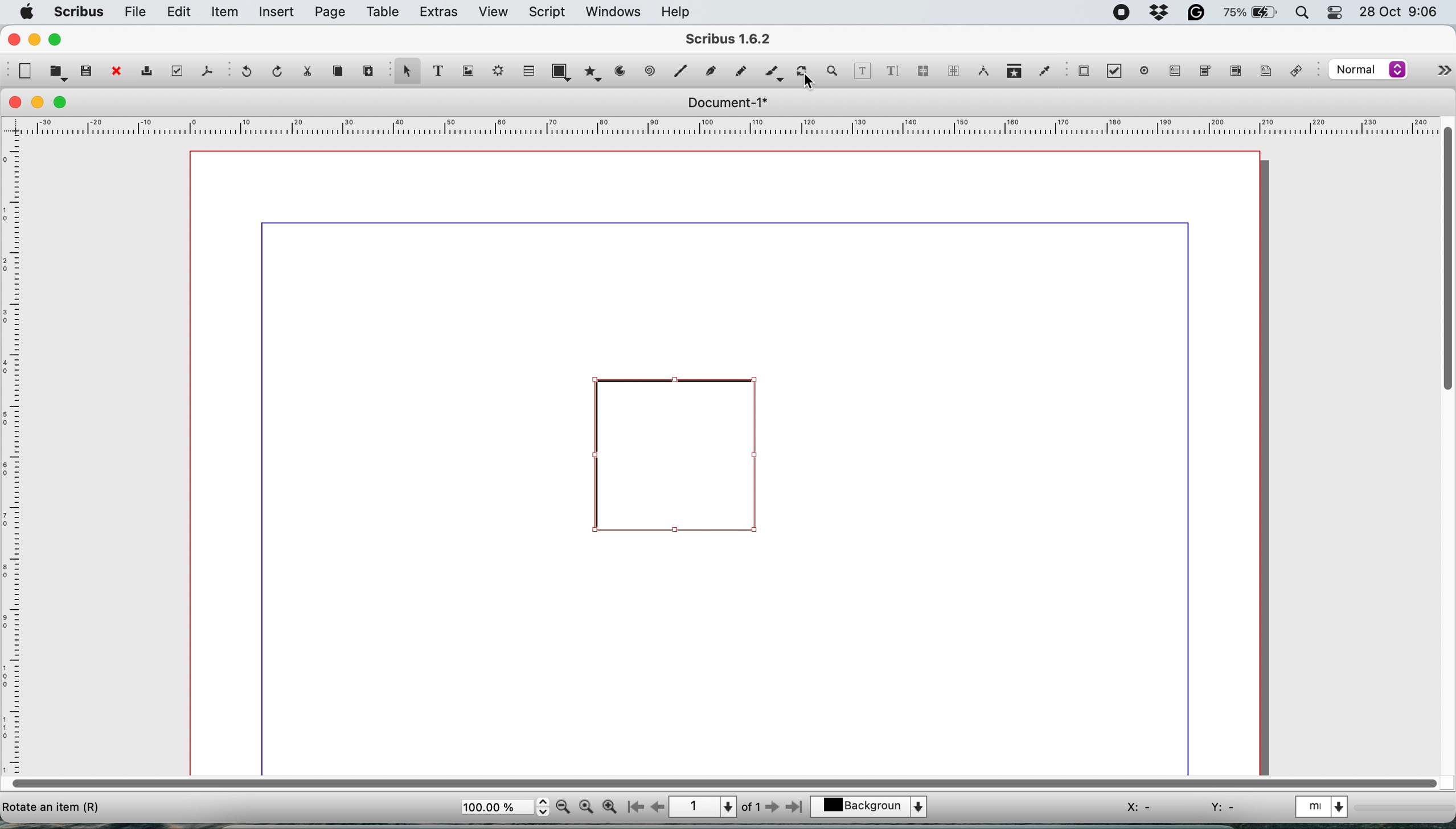 This screenshot has width=1456, height=829. I want to click on freehand line, so click(738, 71).